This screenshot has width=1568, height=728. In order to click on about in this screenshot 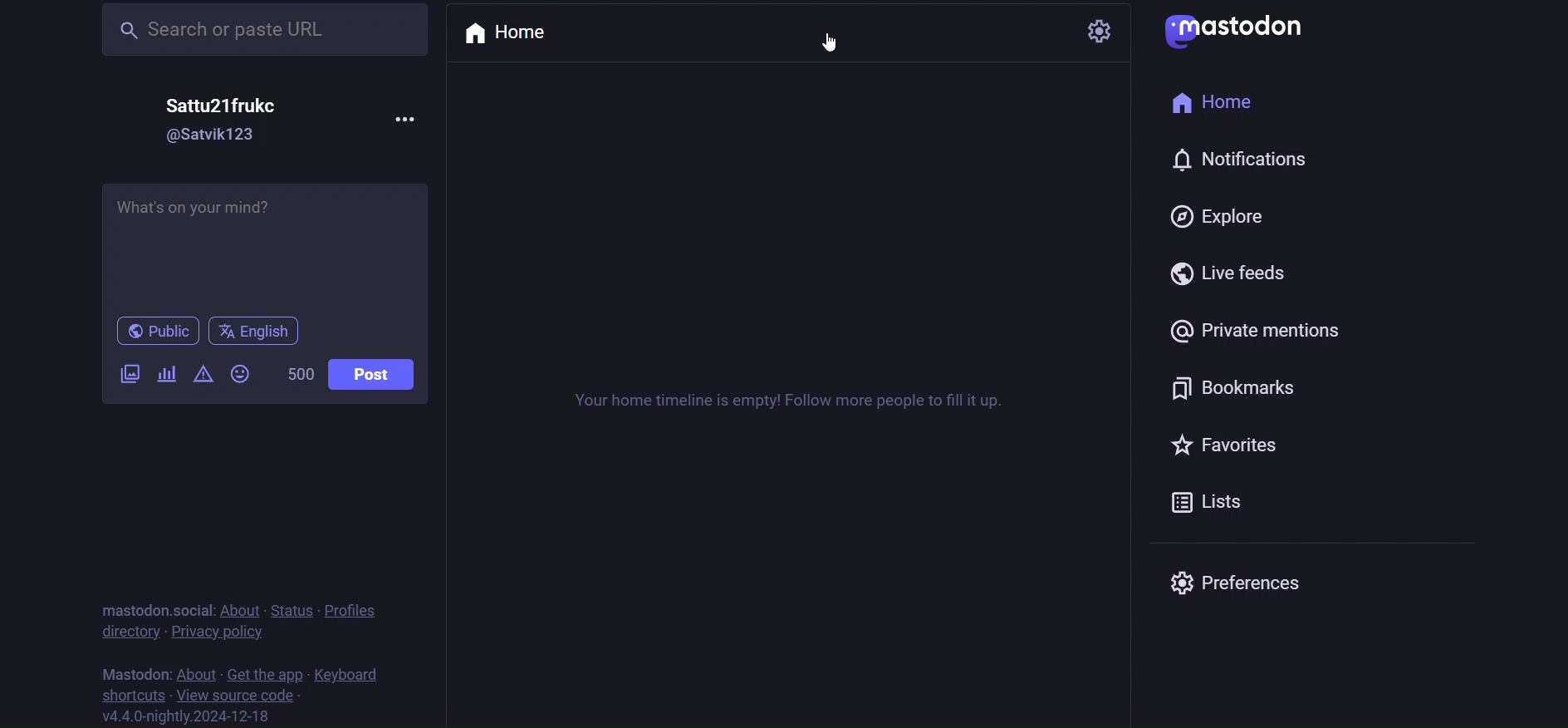, I will do `click(196, 671)`.